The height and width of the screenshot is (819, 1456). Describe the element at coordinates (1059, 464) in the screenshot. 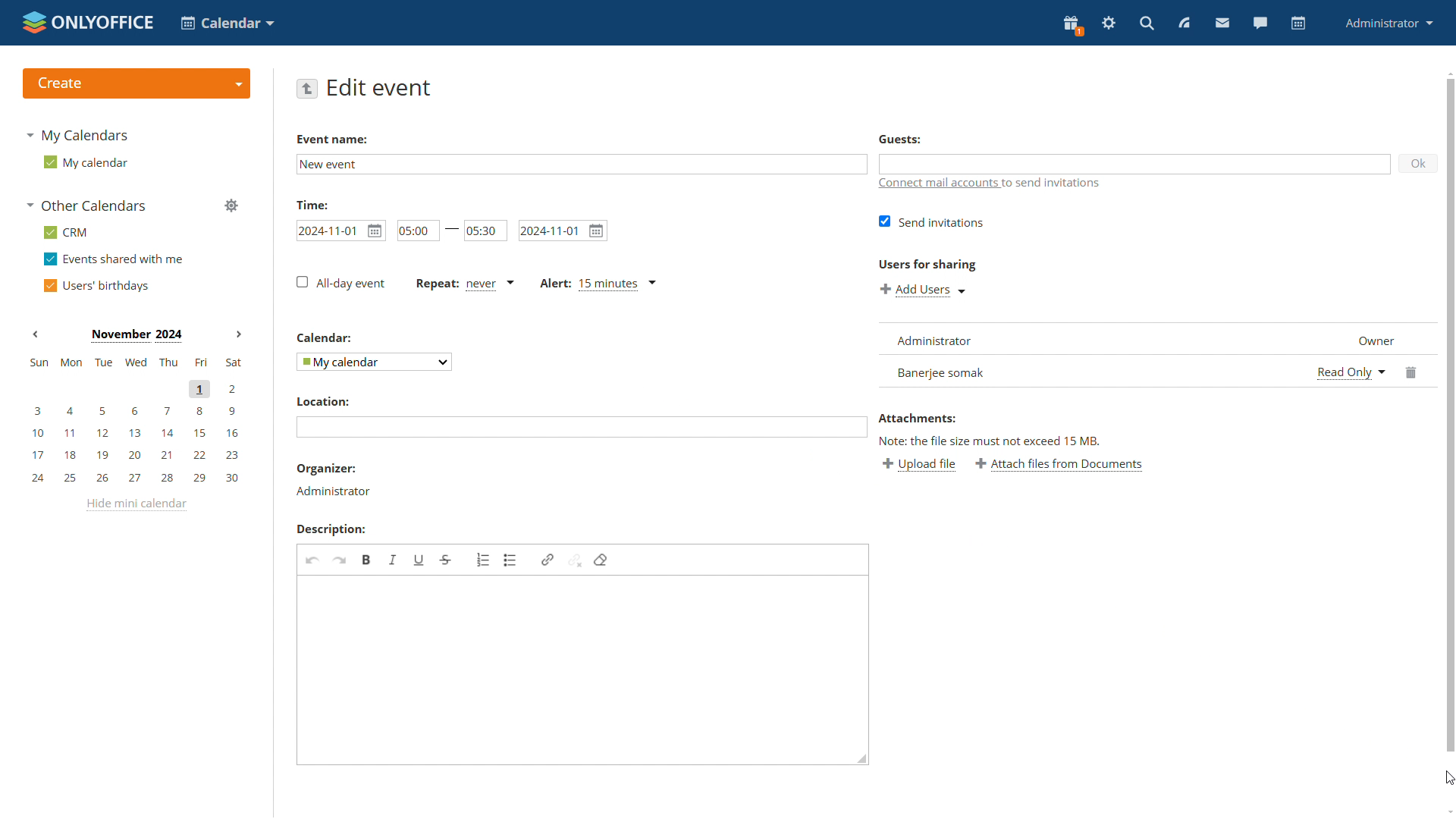

I see `attach files from documents` at that location.